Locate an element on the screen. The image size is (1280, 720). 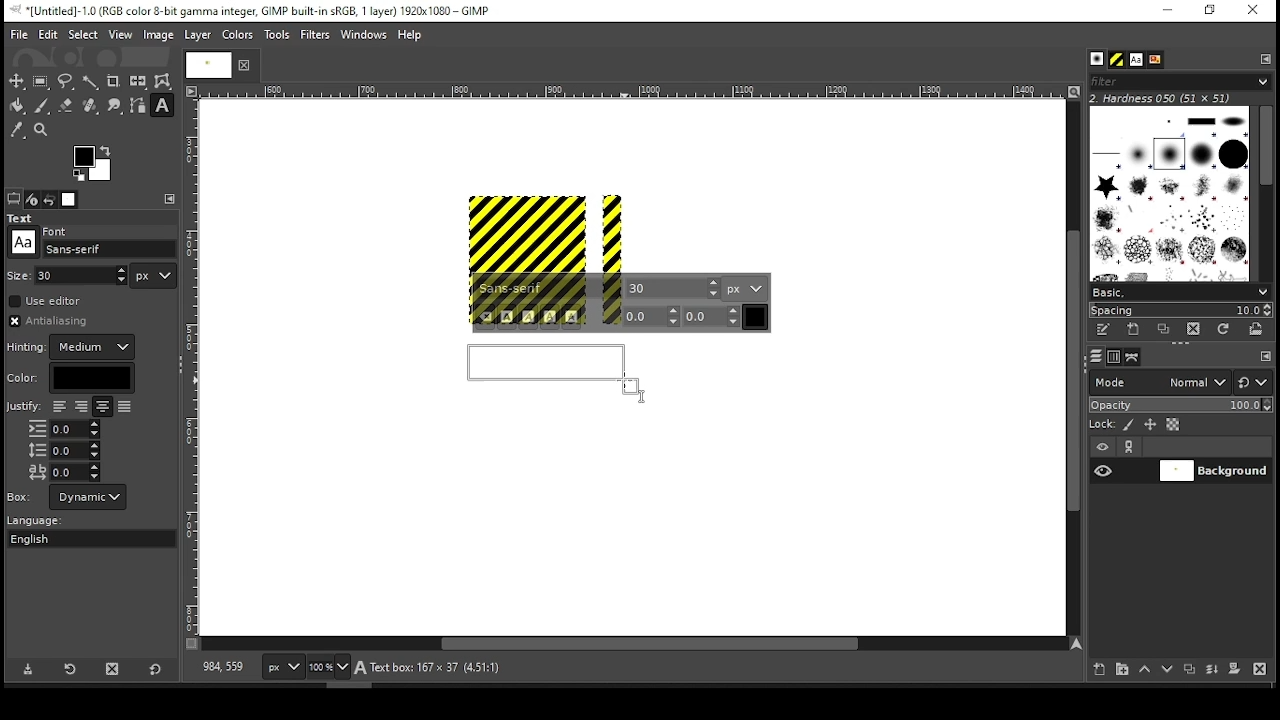
 is located at coordinates (57, 229).